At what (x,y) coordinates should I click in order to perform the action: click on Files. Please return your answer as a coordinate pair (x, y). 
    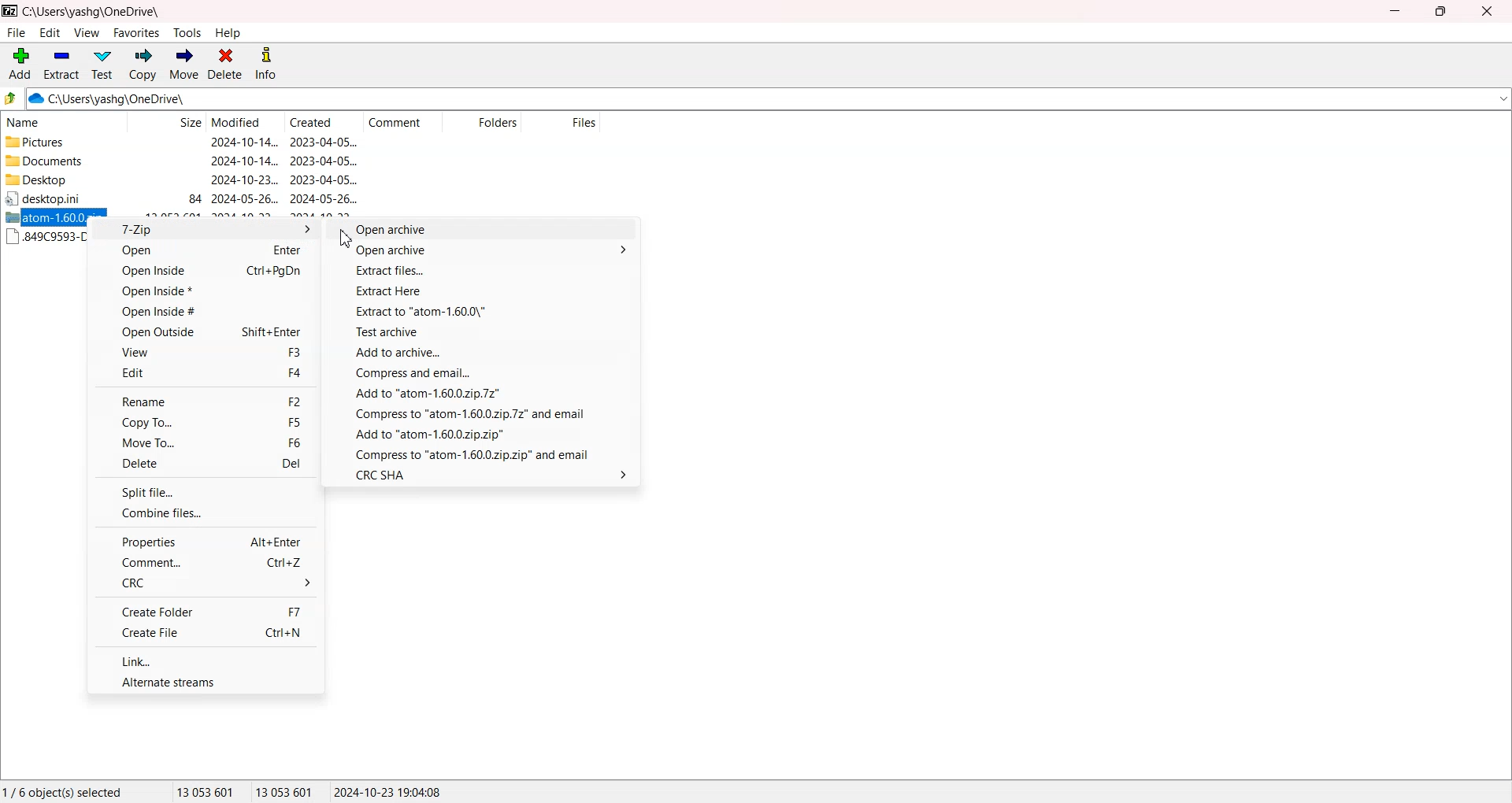
    Looking at the image, I should click on (562, 123).